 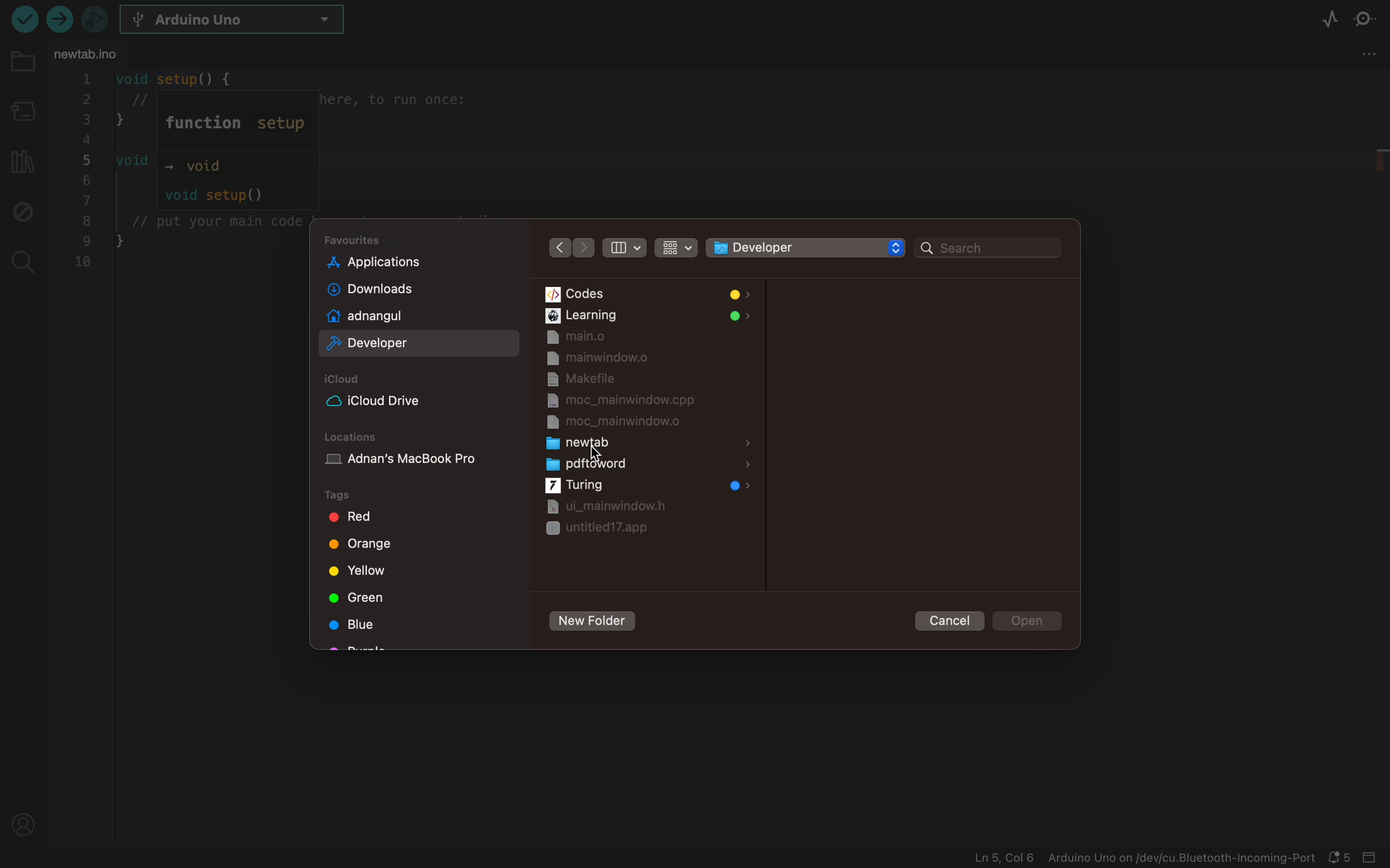 I want to click on new folder, so click(x=591, y=622).